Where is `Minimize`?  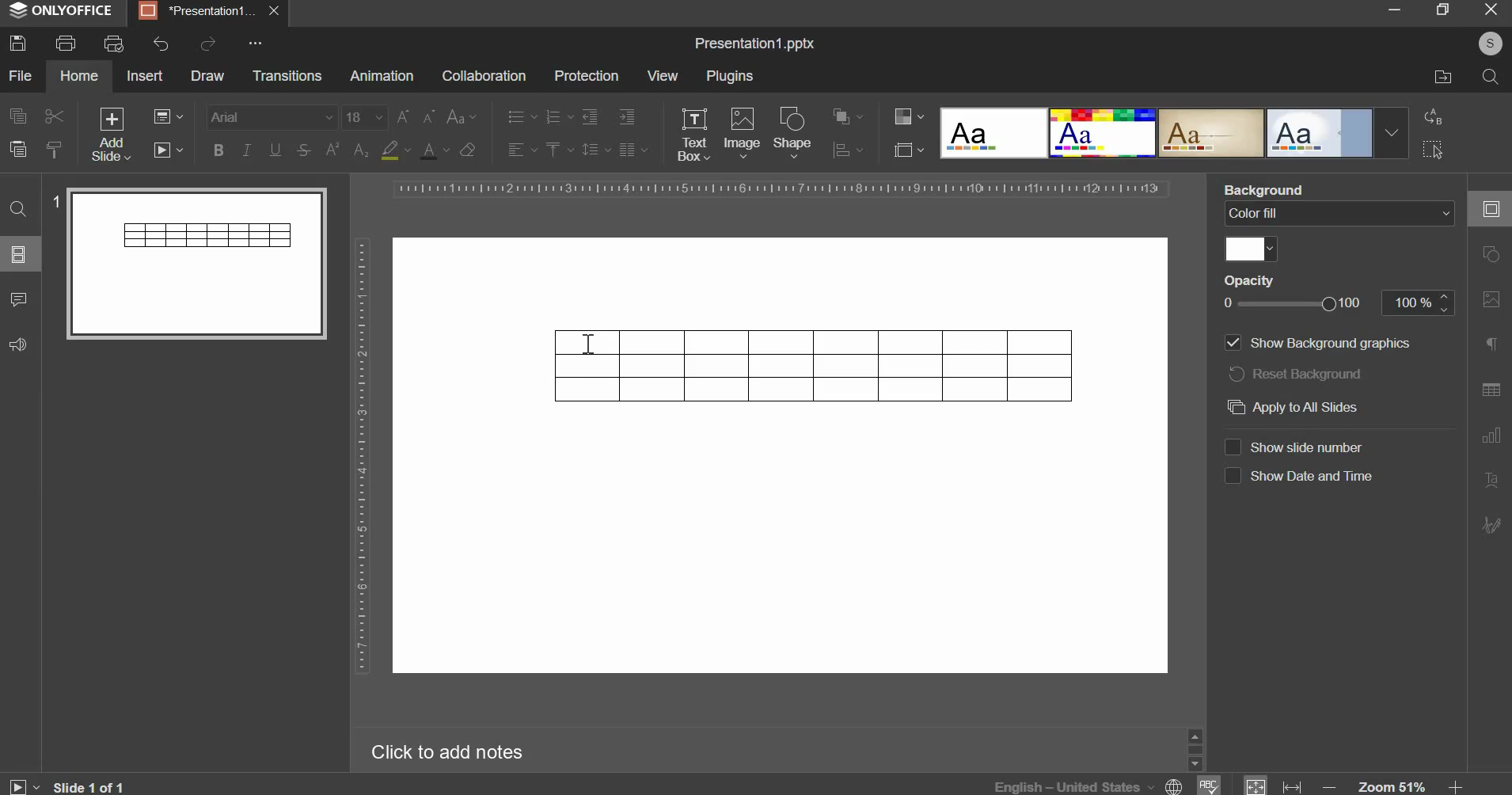
Minimize is located at coordinates (1397, 11).